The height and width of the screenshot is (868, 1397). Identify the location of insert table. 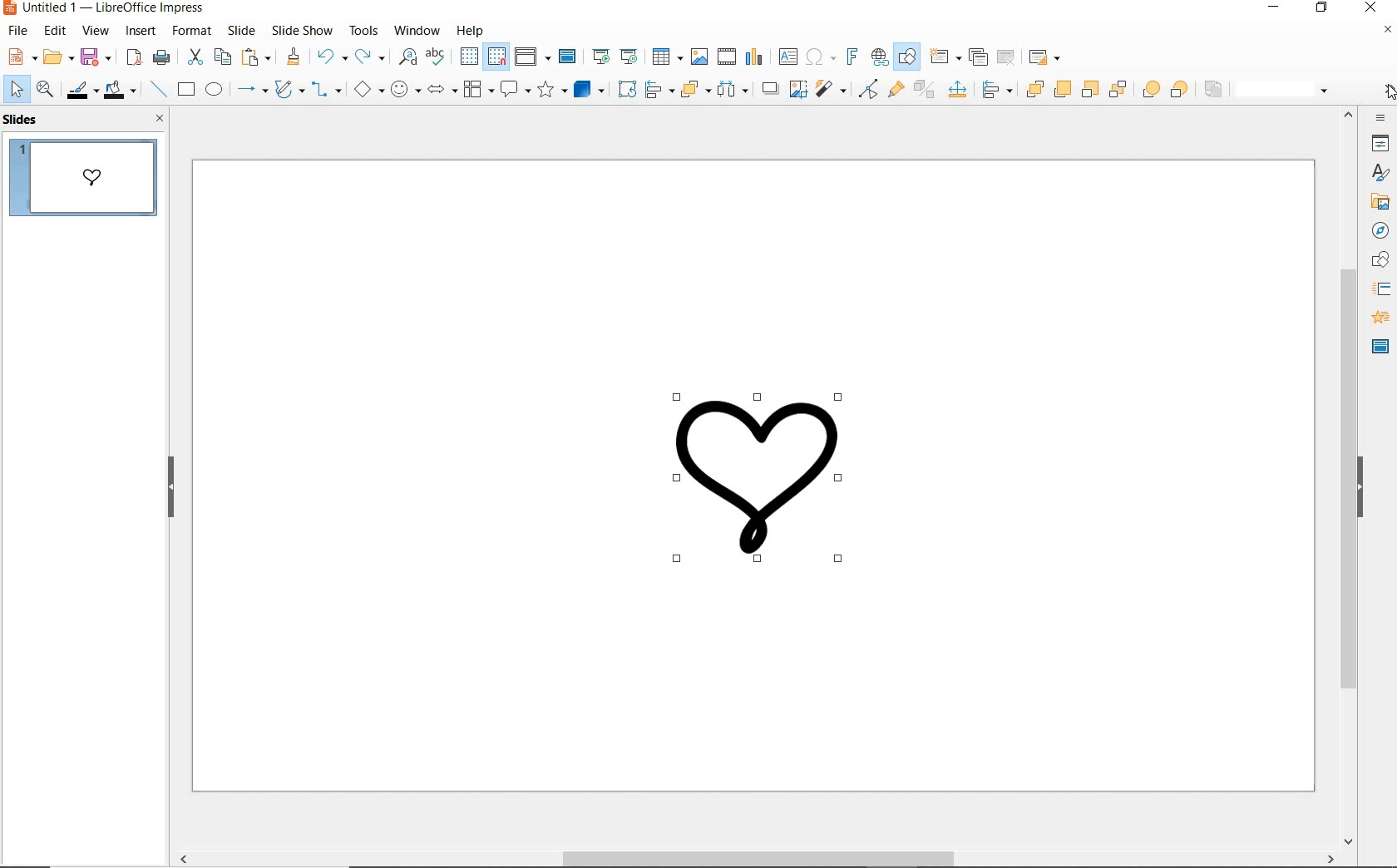
(667, 57).